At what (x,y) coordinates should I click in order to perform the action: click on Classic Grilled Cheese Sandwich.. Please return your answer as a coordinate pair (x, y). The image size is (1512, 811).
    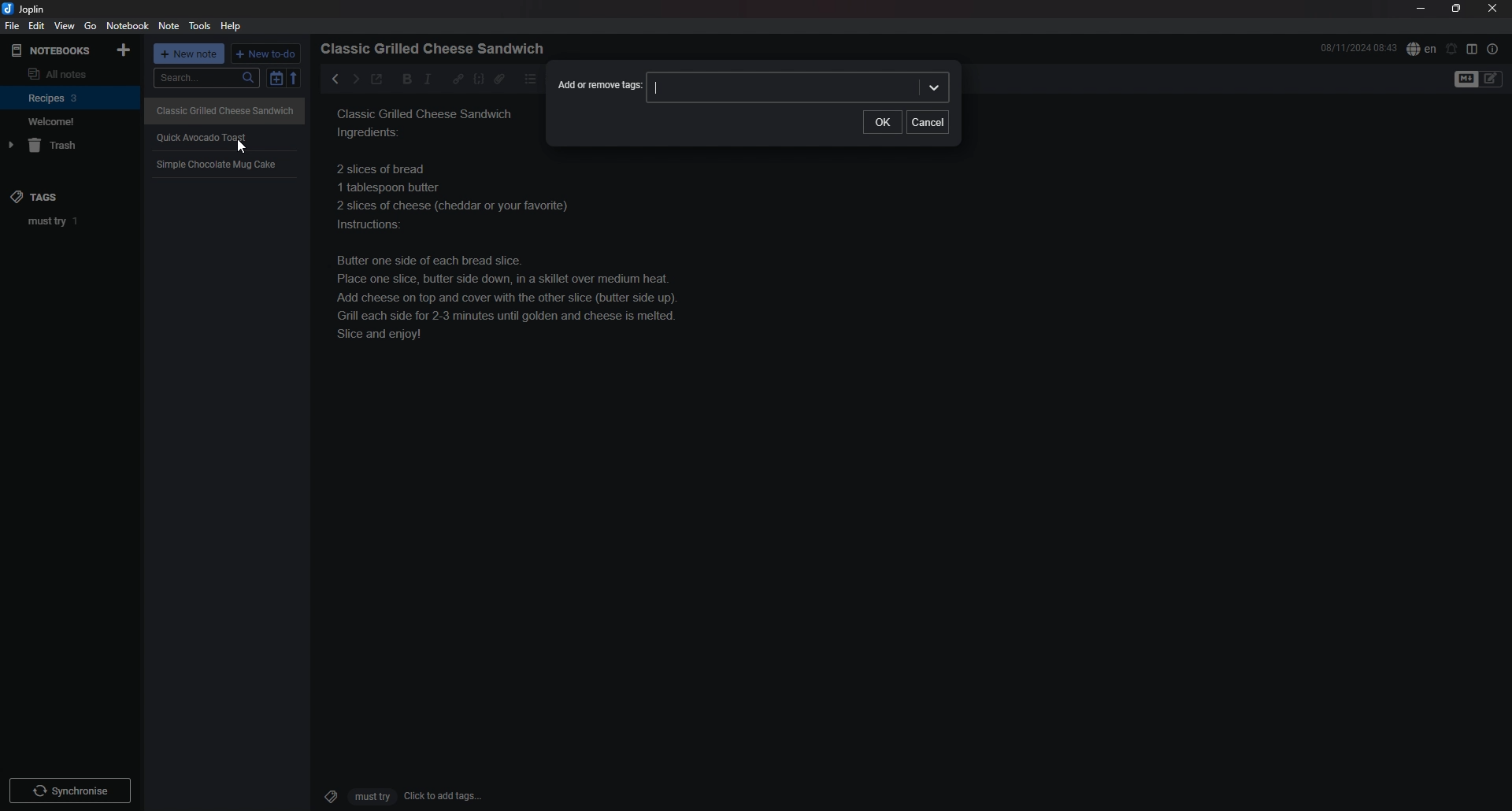
    Looking at the image, I should click on (509, 262).